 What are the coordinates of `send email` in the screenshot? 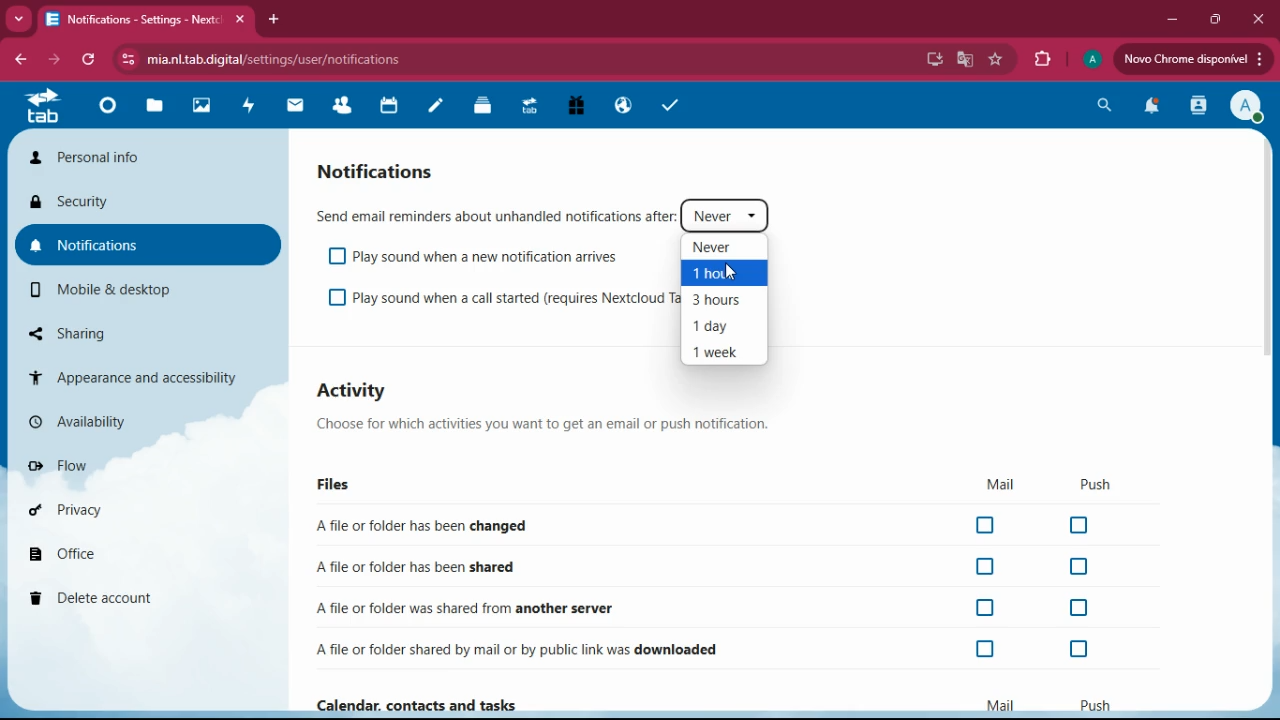 It's located at (491, 213).